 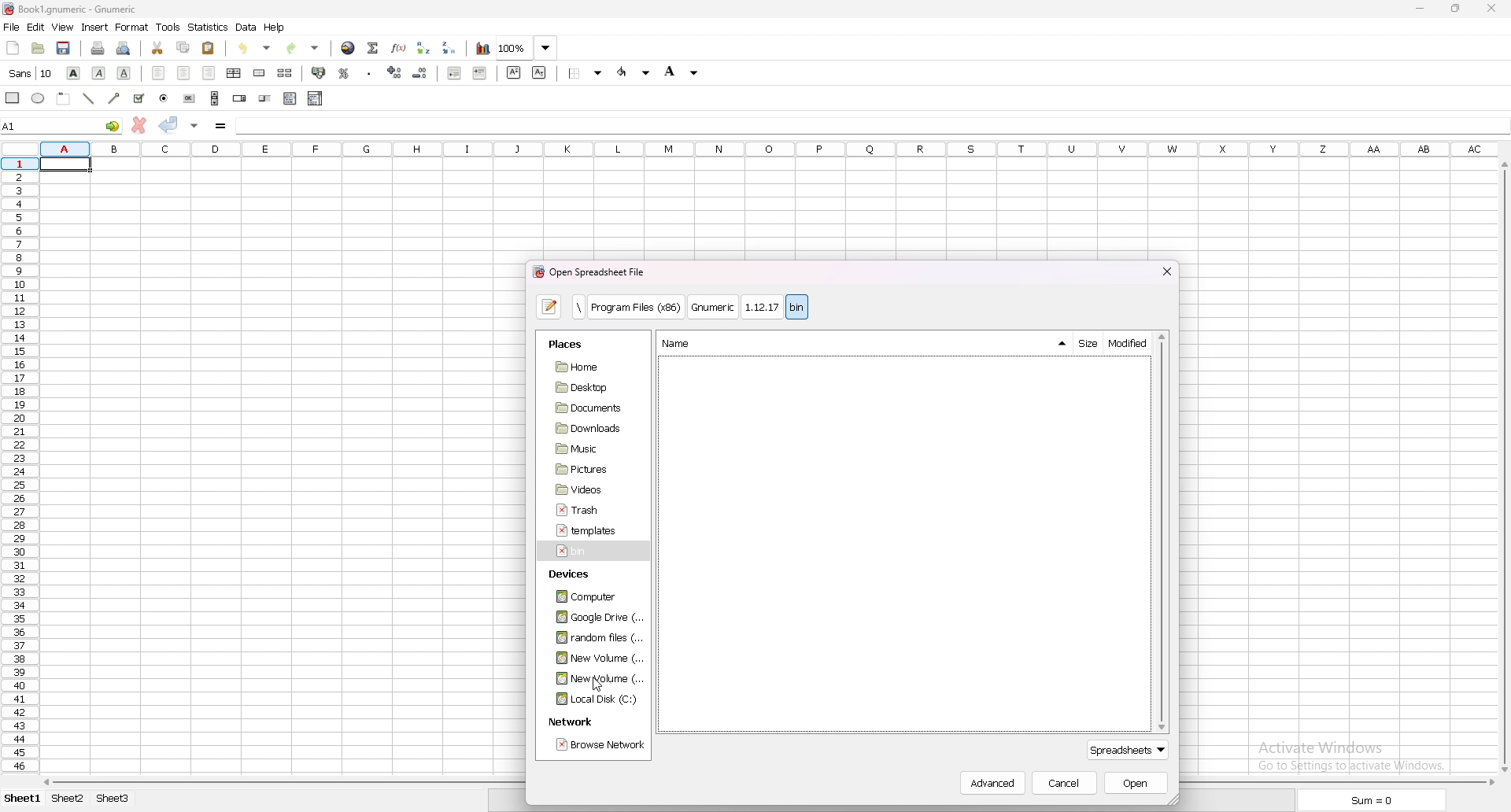 I want to click on underline, so click(x=124, y=74).